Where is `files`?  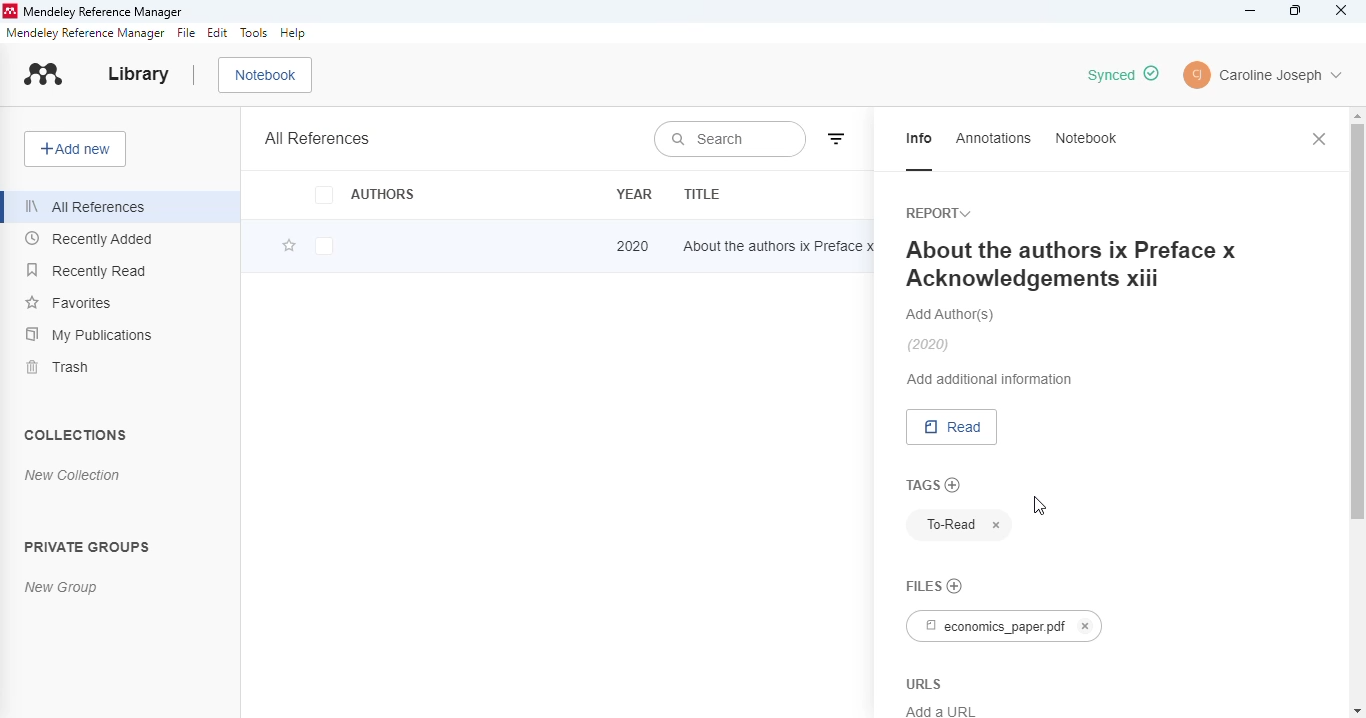
files is located at coordinates (925, 582).